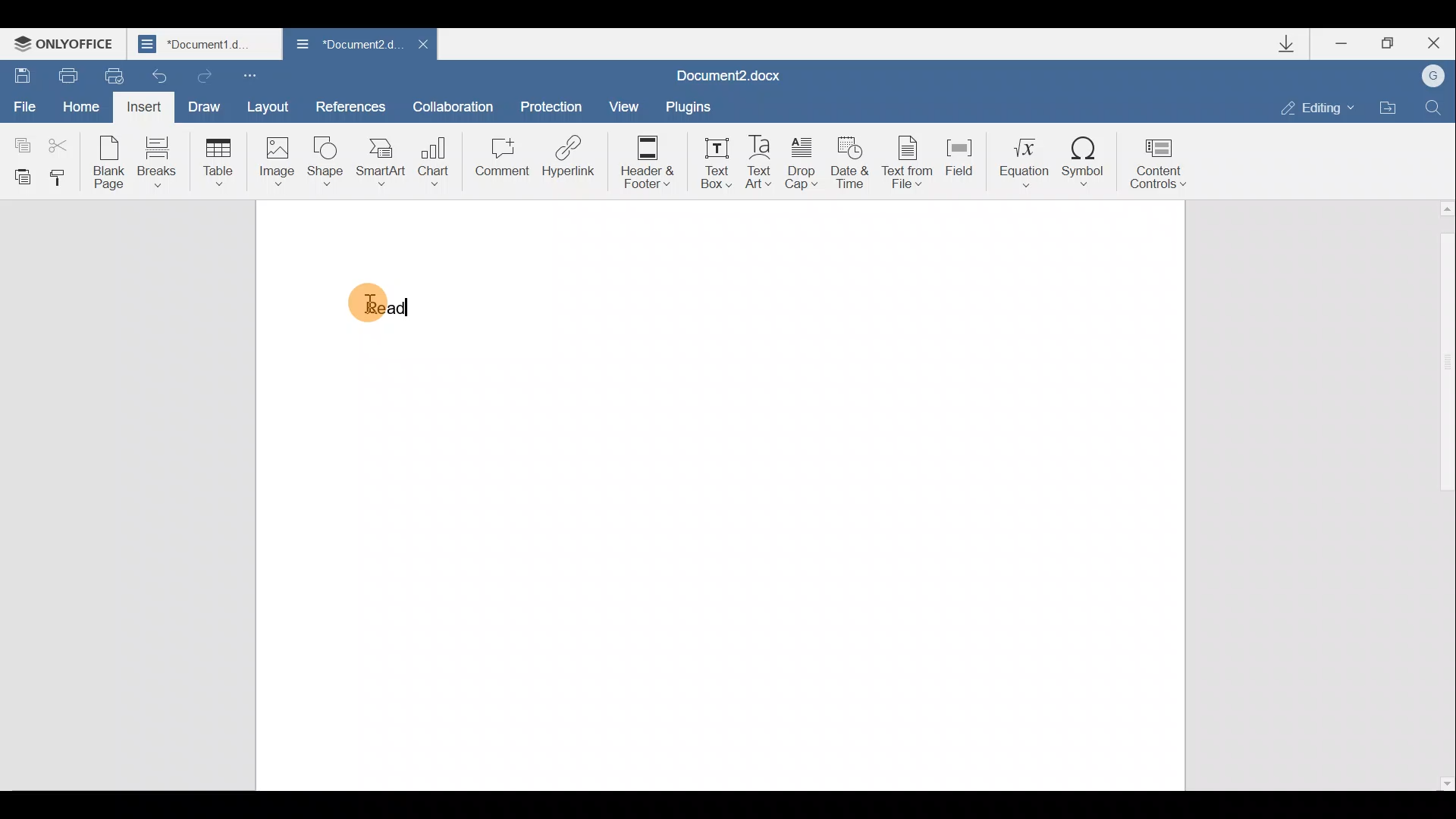 The height and width of the screenshot is (819, 1456). I want to click on Read, so click(374, 303).